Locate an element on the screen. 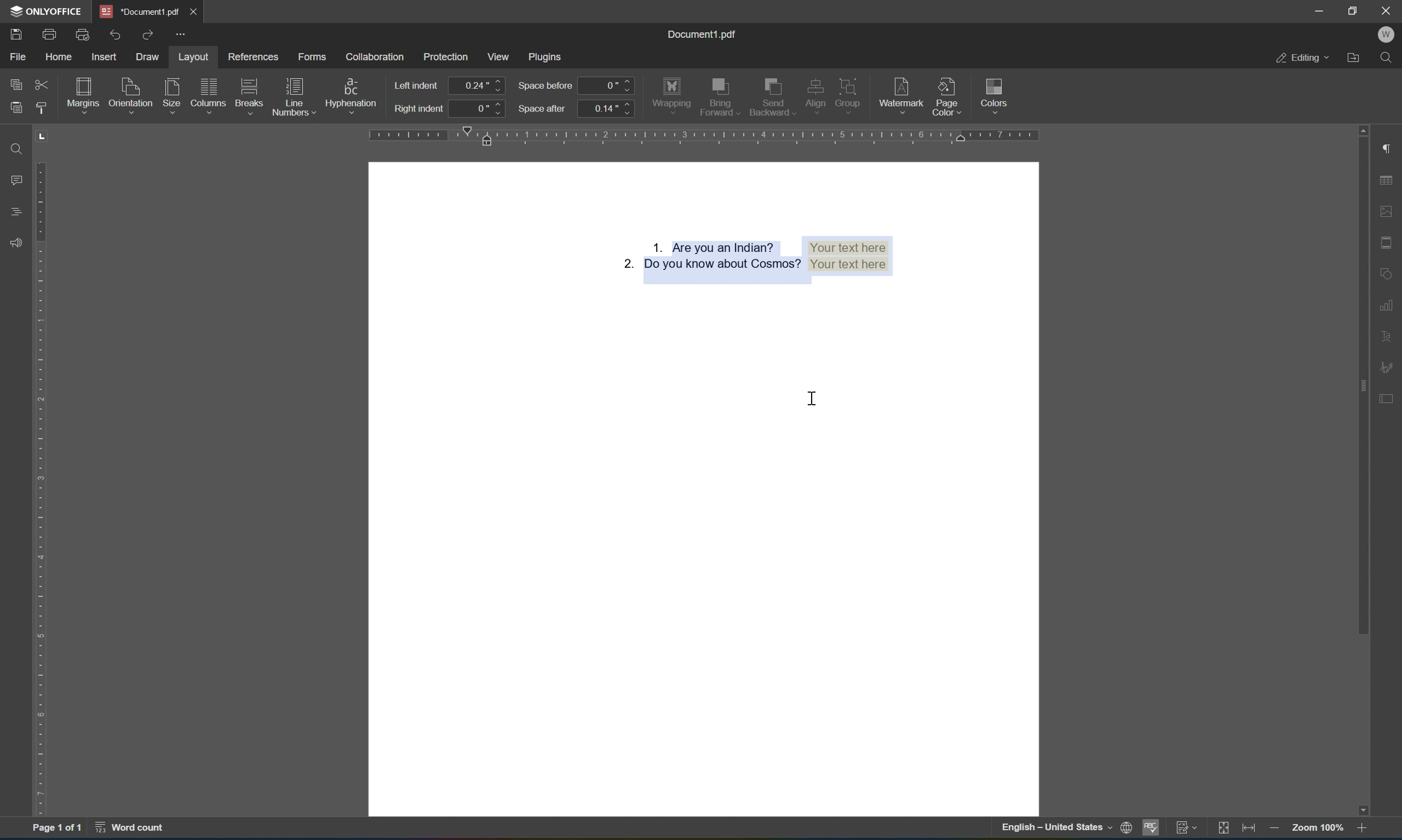 The image size is (1402, 840). view is located at coordinates (500, 58).